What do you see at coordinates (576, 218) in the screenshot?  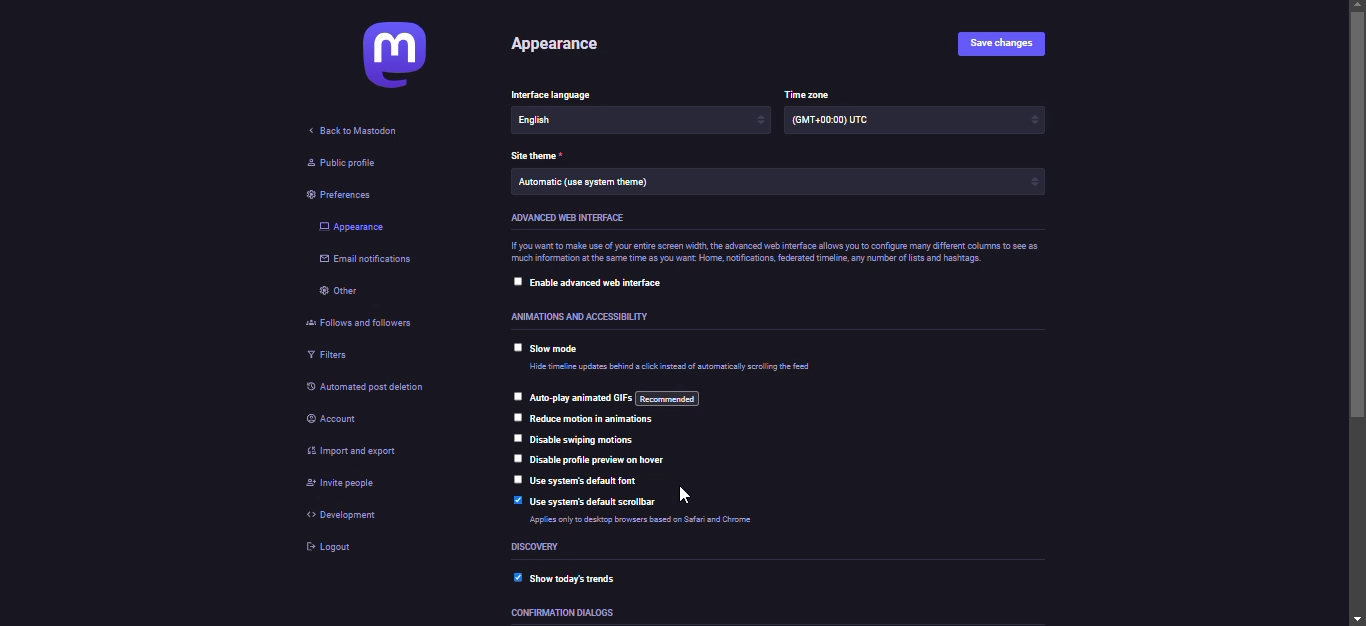 I see `advanced web interface` at bounding box center [576, 218].